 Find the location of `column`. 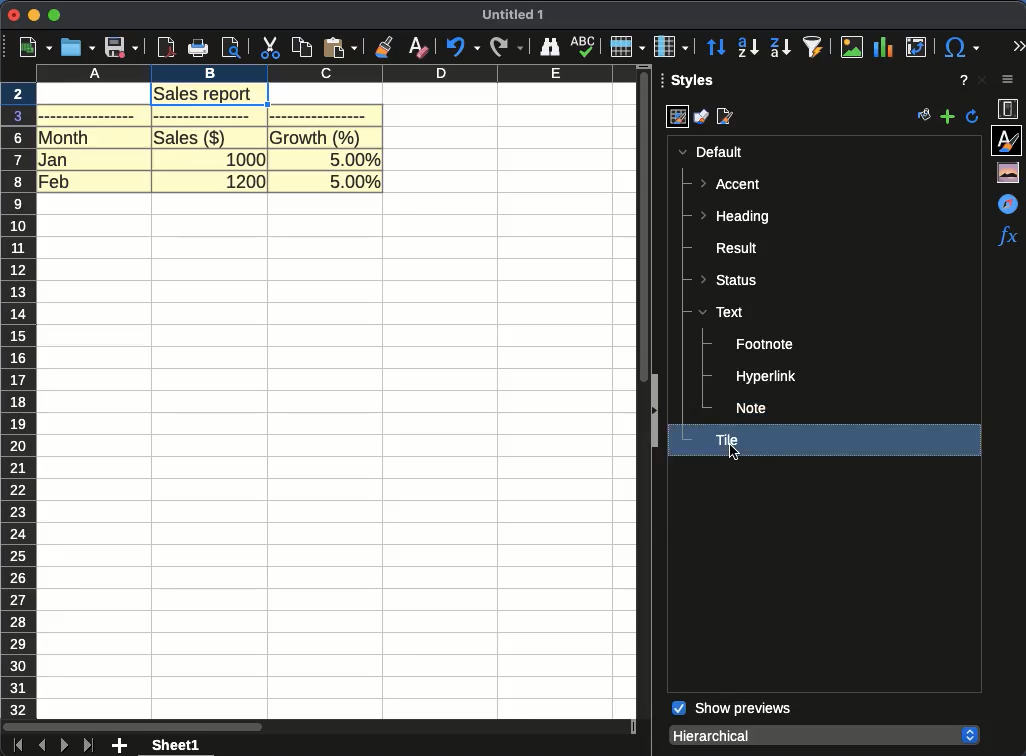

column is located at coordinates (338, 75).